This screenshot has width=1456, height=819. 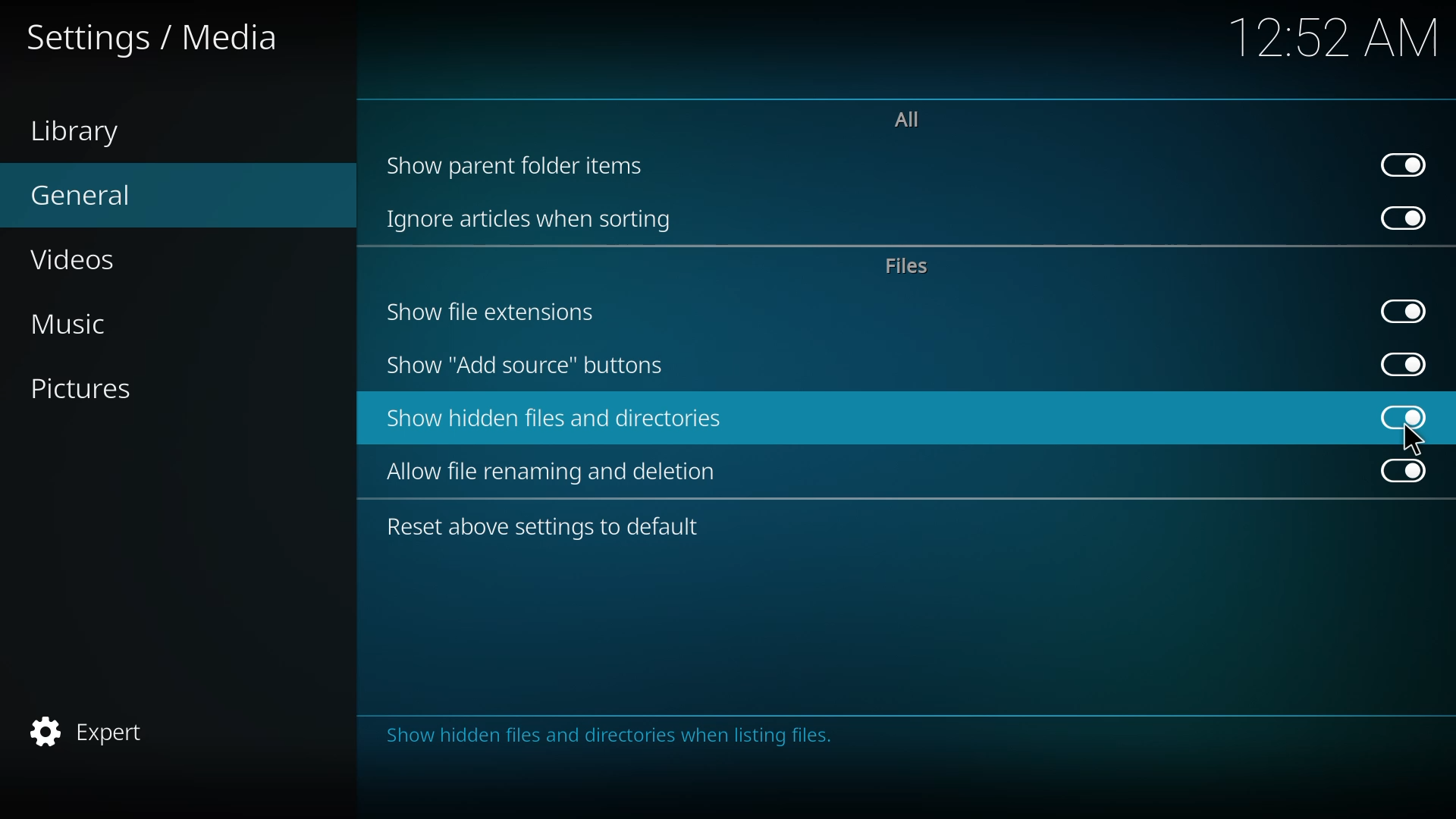 I want to click on allow file renaming and deletion, so click(x=561, y=470).